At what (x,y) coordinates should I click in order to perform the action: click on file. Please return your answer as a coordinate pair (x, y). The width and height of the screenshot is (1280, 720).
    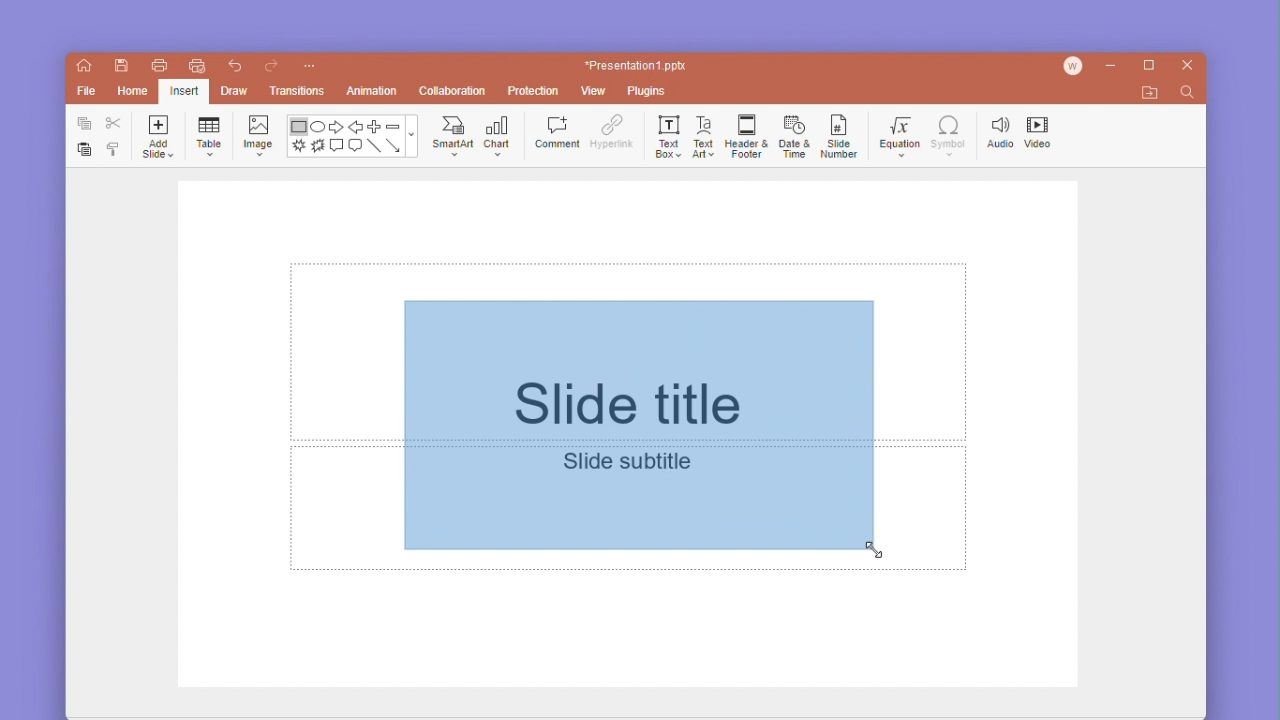
    Looking at the image, I should click on (86, 91).